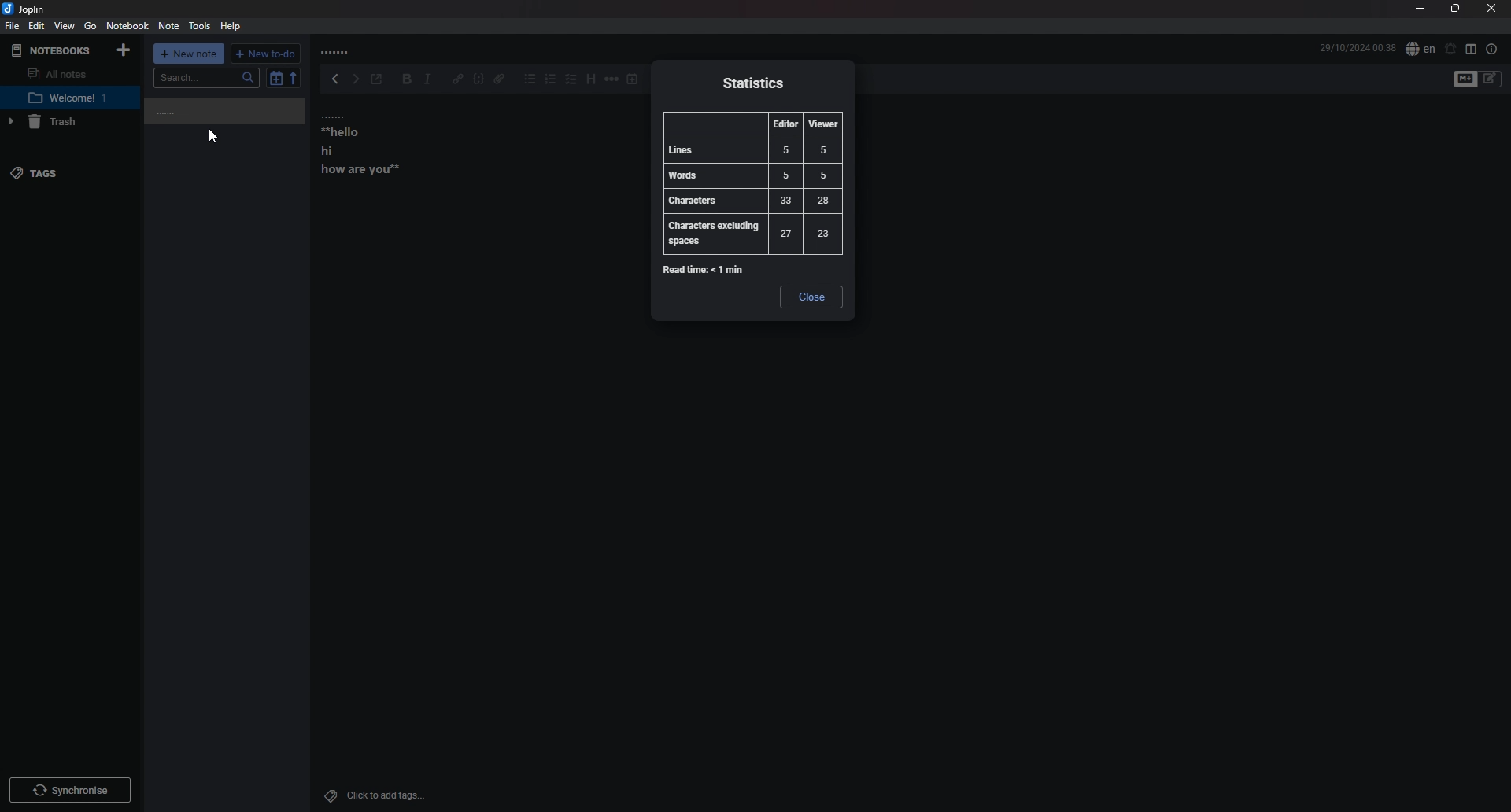  What do you see at coordinates (213, 138) in the screenshot?
I see `cursor` at bounding box center [213, 138].